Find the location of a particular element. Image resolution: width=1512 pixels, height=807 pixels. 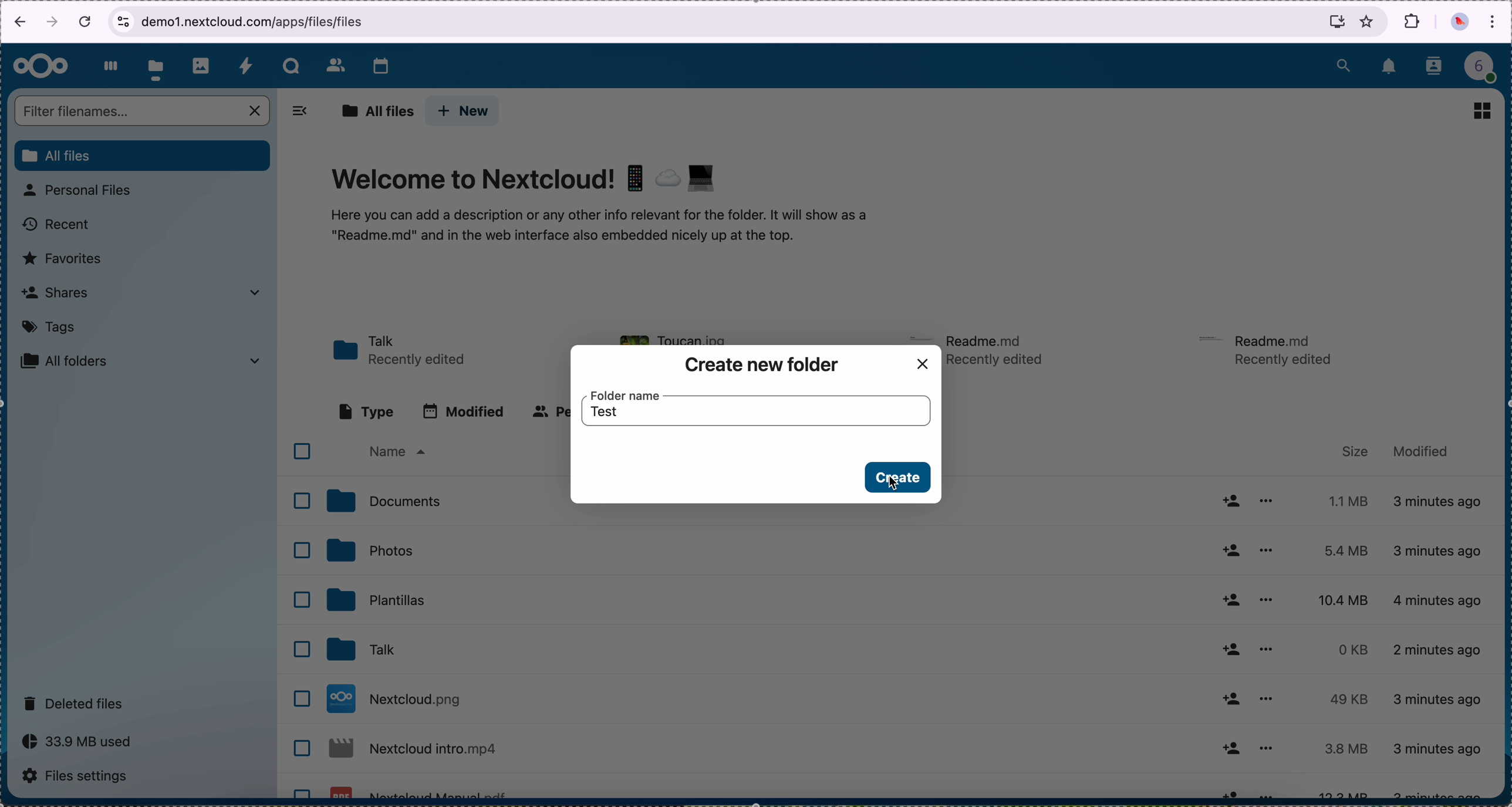

capacity is located at coordinates (83, 745).